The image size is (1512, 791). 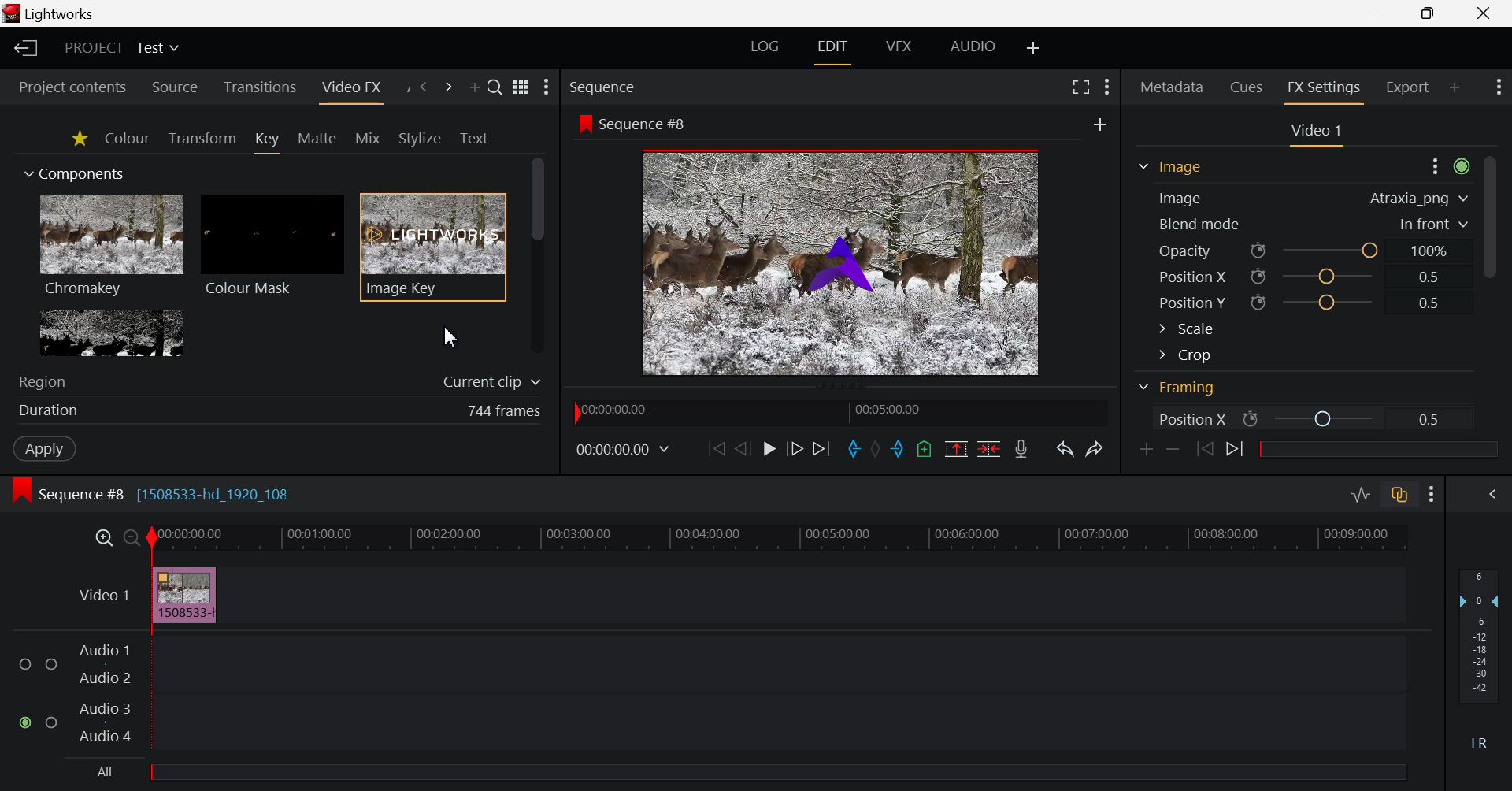 I want to click on Source, so click(x=174, y=84).